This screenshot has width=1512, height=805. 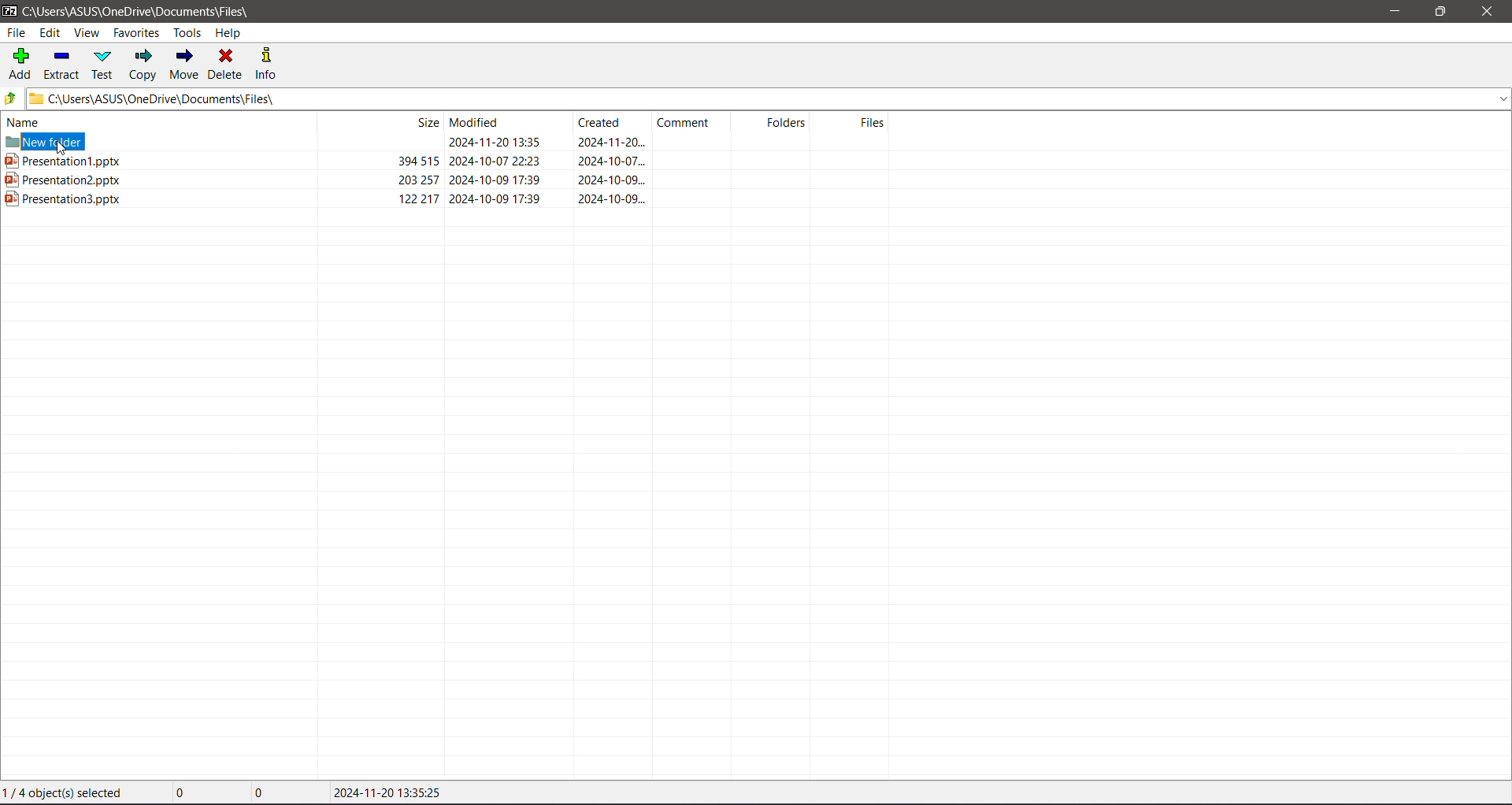 What do you see at coordinates (21, 63) in the screenshot?
I see `Add` at bounding box center [21, 63].